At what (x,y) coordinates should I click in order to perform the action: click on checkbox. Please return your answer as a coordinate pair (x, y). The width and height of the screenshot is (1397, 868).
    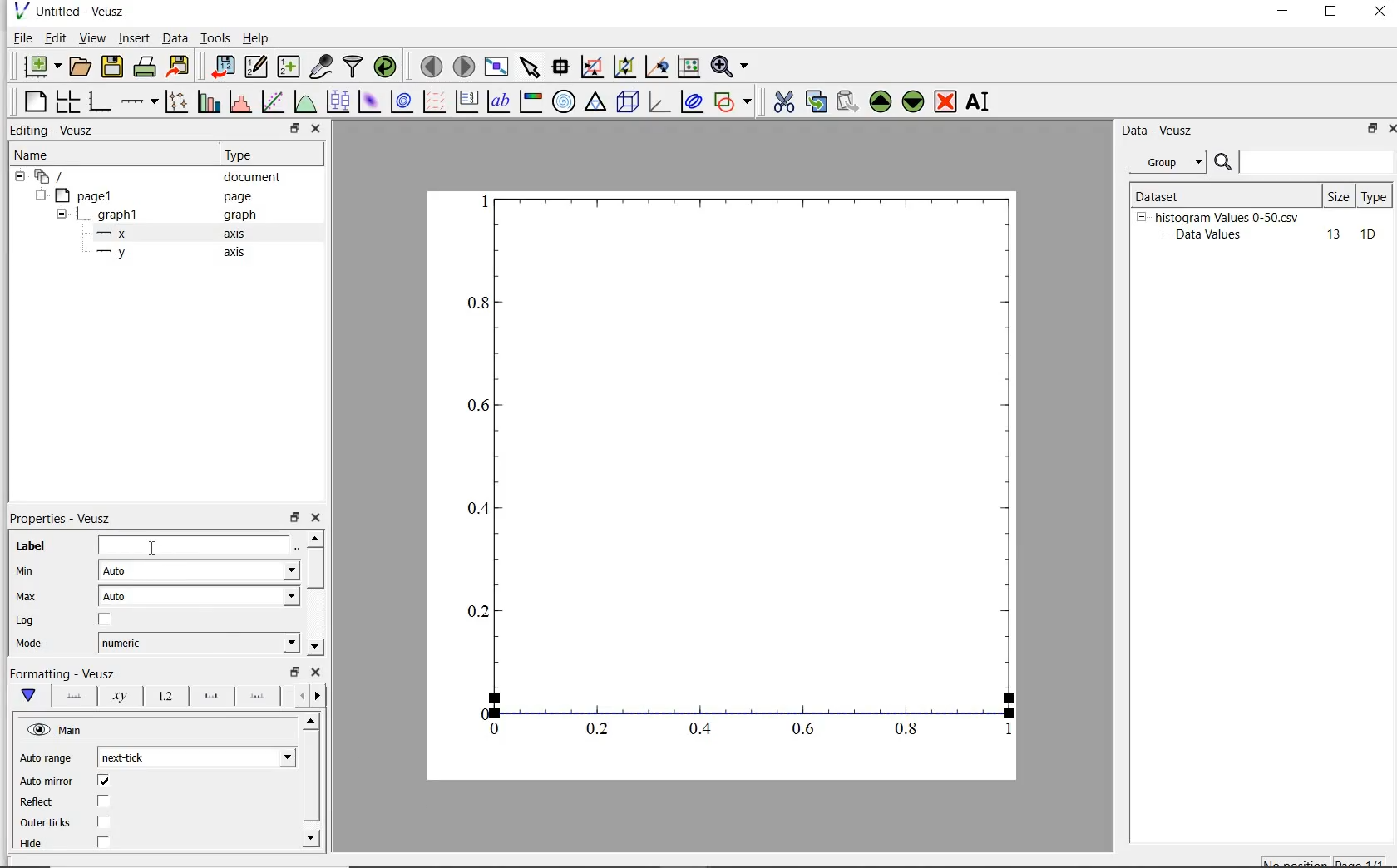
    Looking at the image, I should click on (103, 801).